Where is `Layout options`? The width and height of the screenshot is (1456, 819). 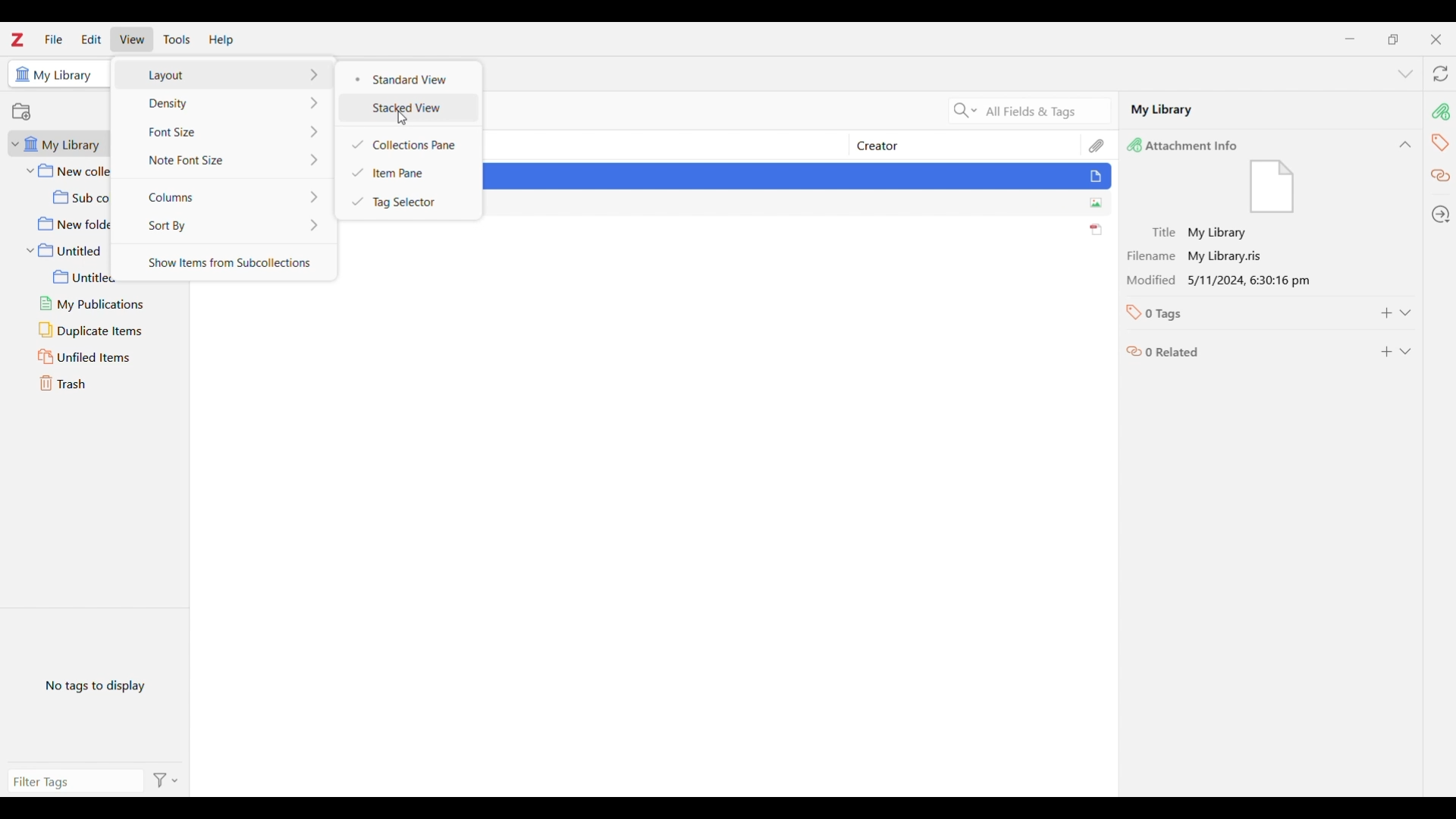
Layout options is located at coordinates (223, 75).